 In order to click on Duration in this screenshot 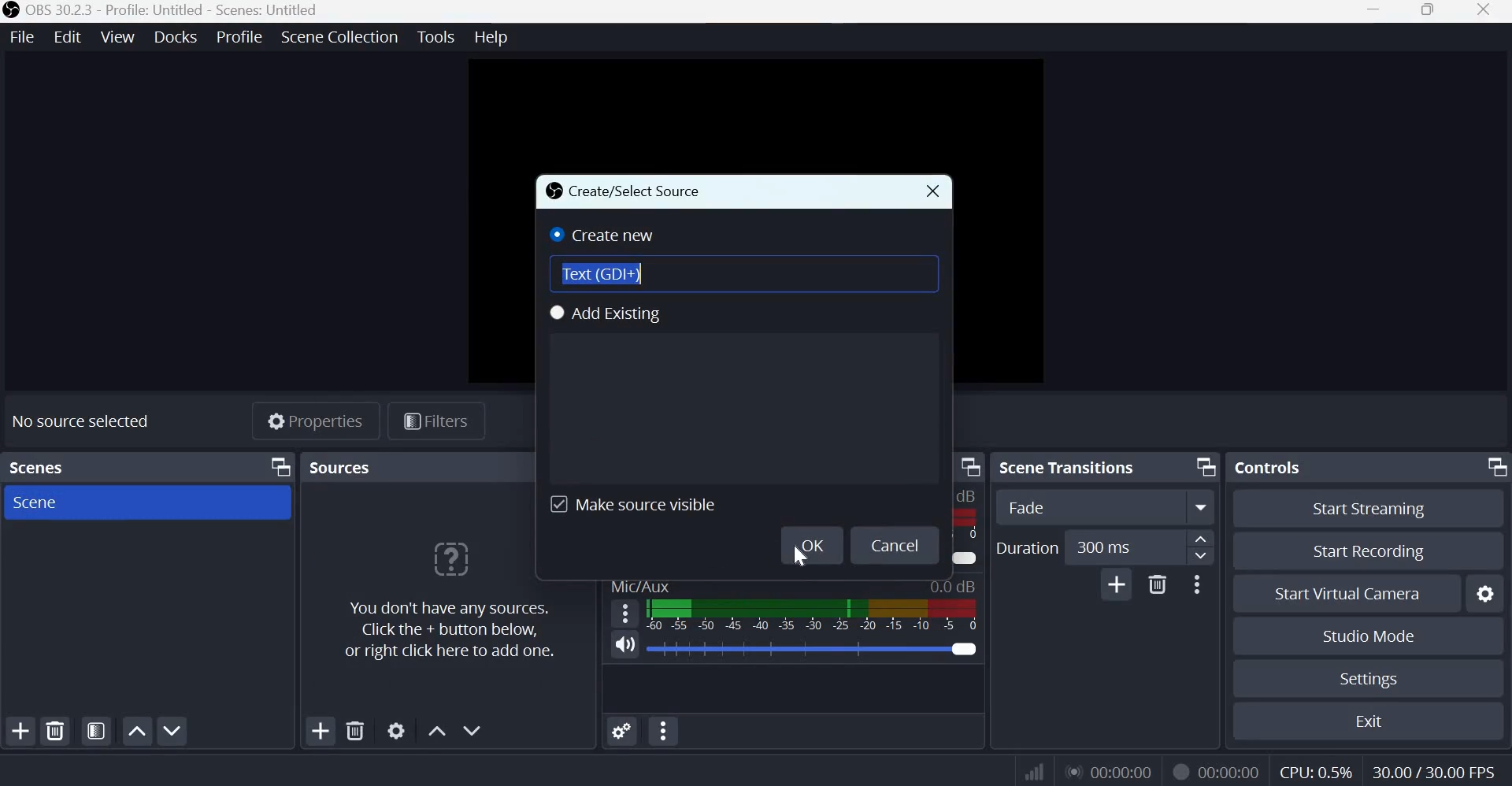, I will do `click(1027, 549)`.